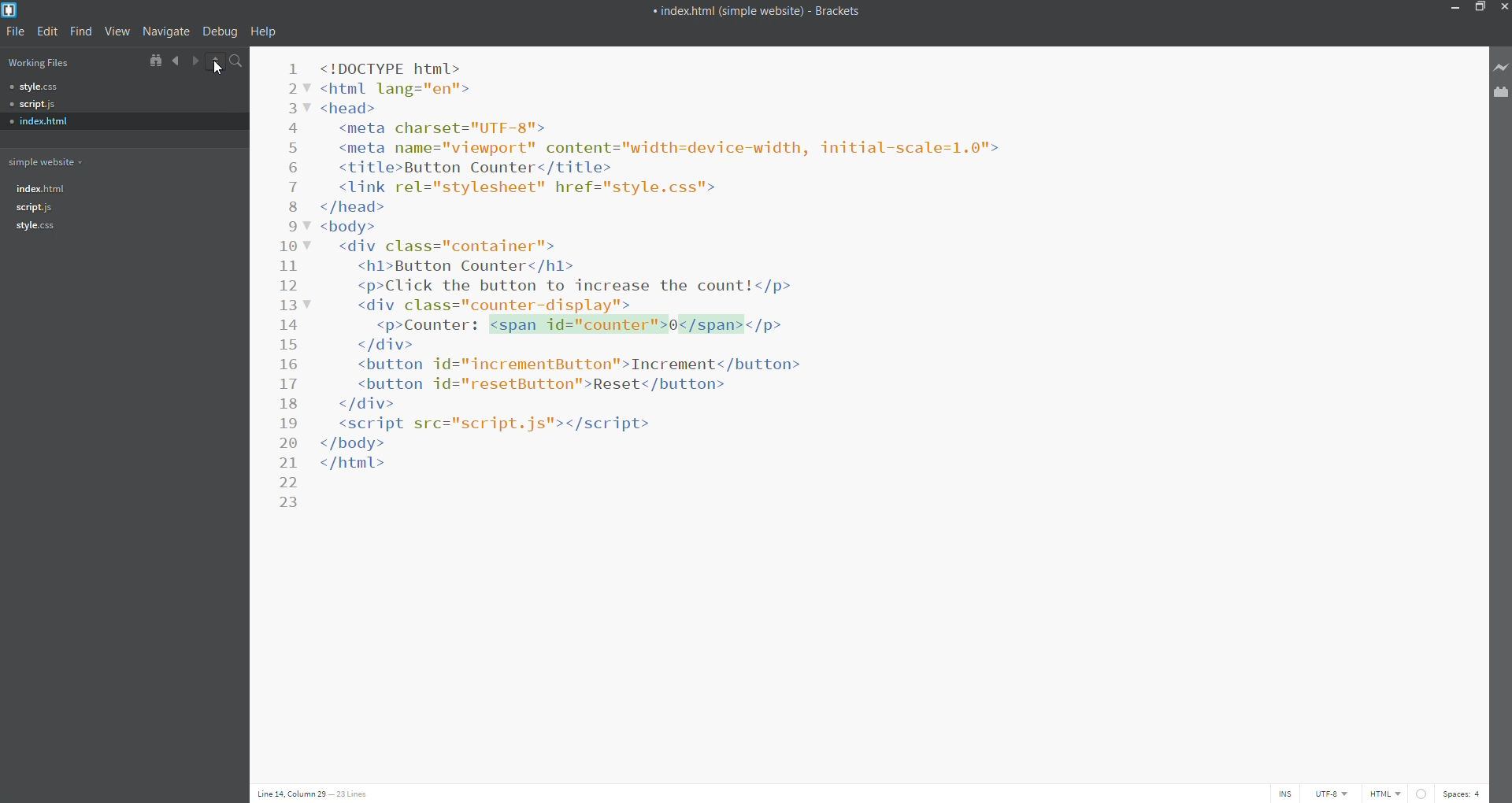 This screenshot has height=803, width=1512. Describe the element at coordinates (45, 30) in the screenshot. I see `edit ` at that location.